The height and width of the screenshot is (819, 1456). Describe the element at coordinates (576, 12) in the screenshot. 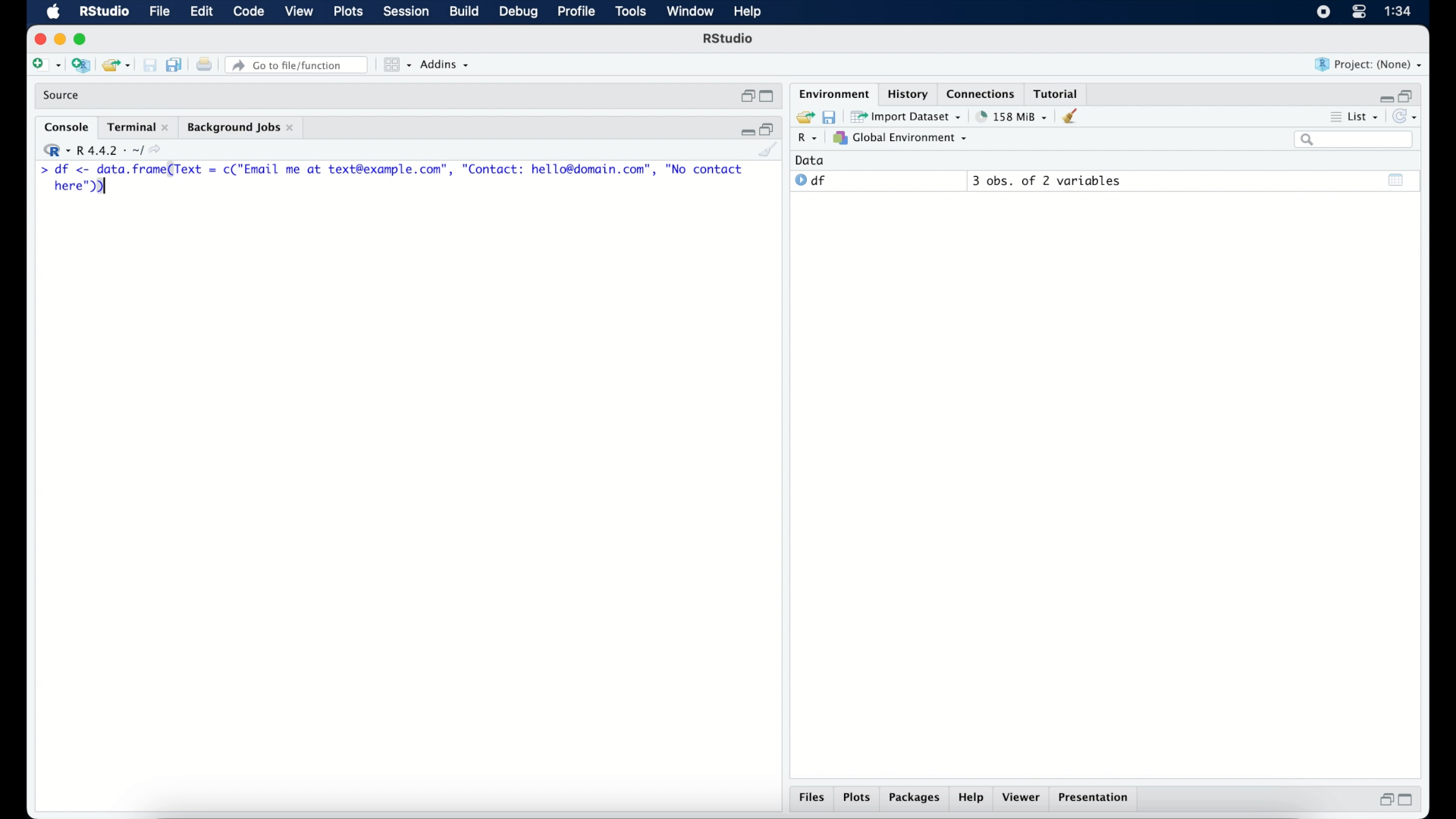

I see `profile` at that location.